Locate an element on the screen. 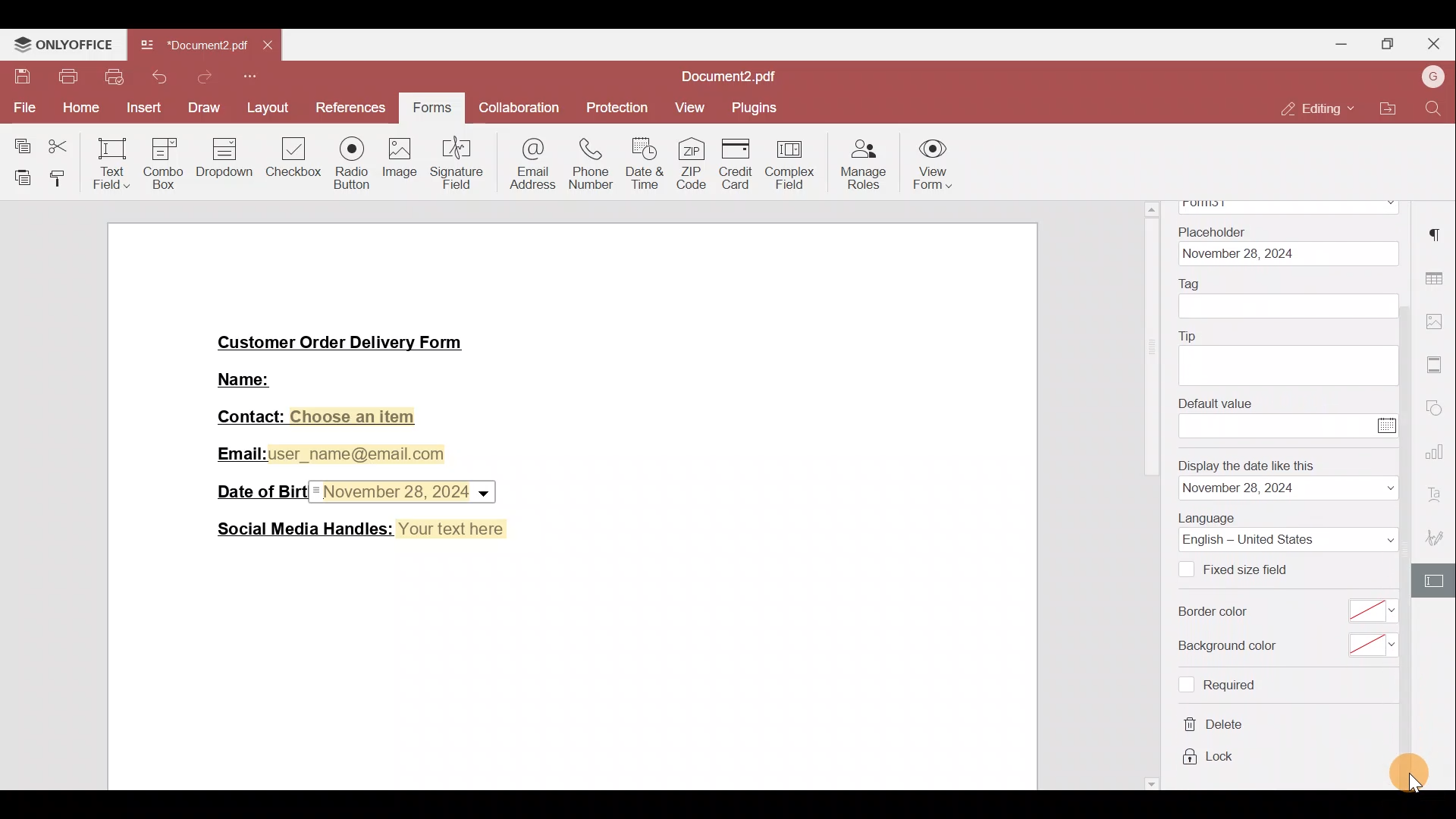  Text field is located at coordinates (110, 163).